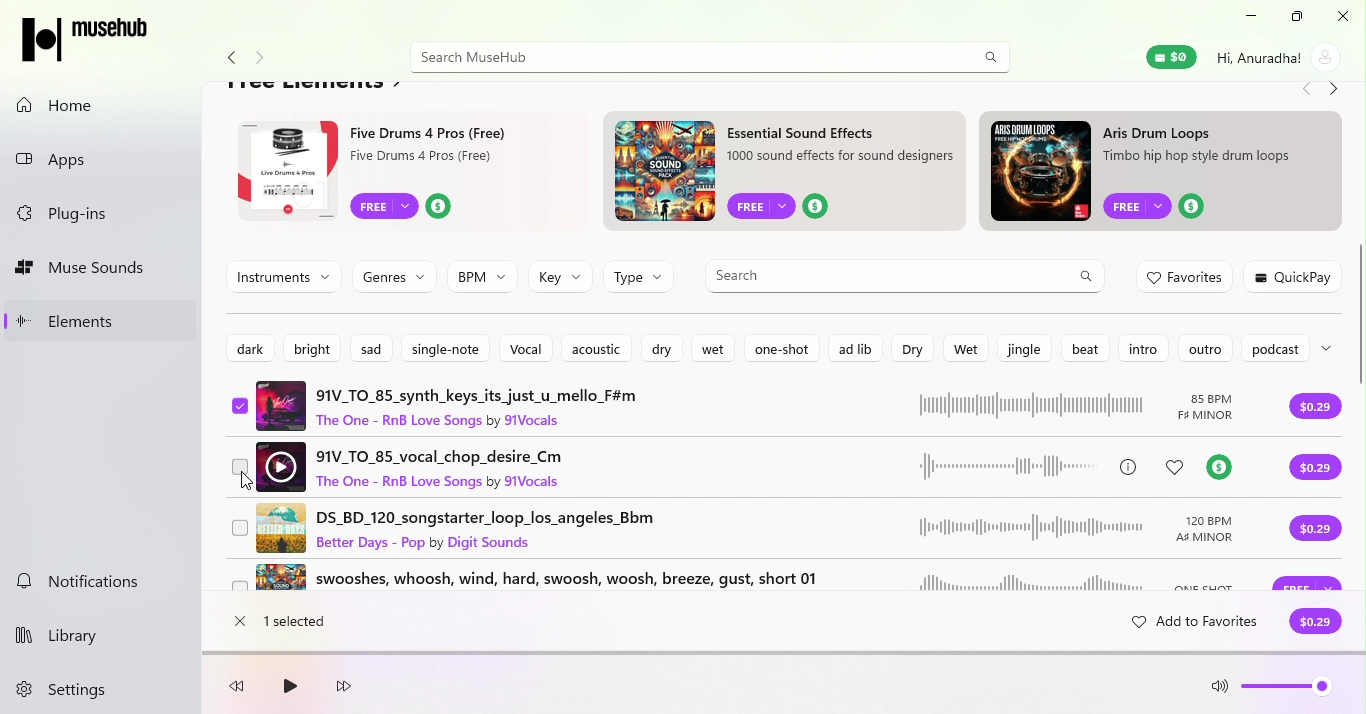  Describe the element at coordinates (1246, 17) in the screenshot. I see `Minimize` at that location.